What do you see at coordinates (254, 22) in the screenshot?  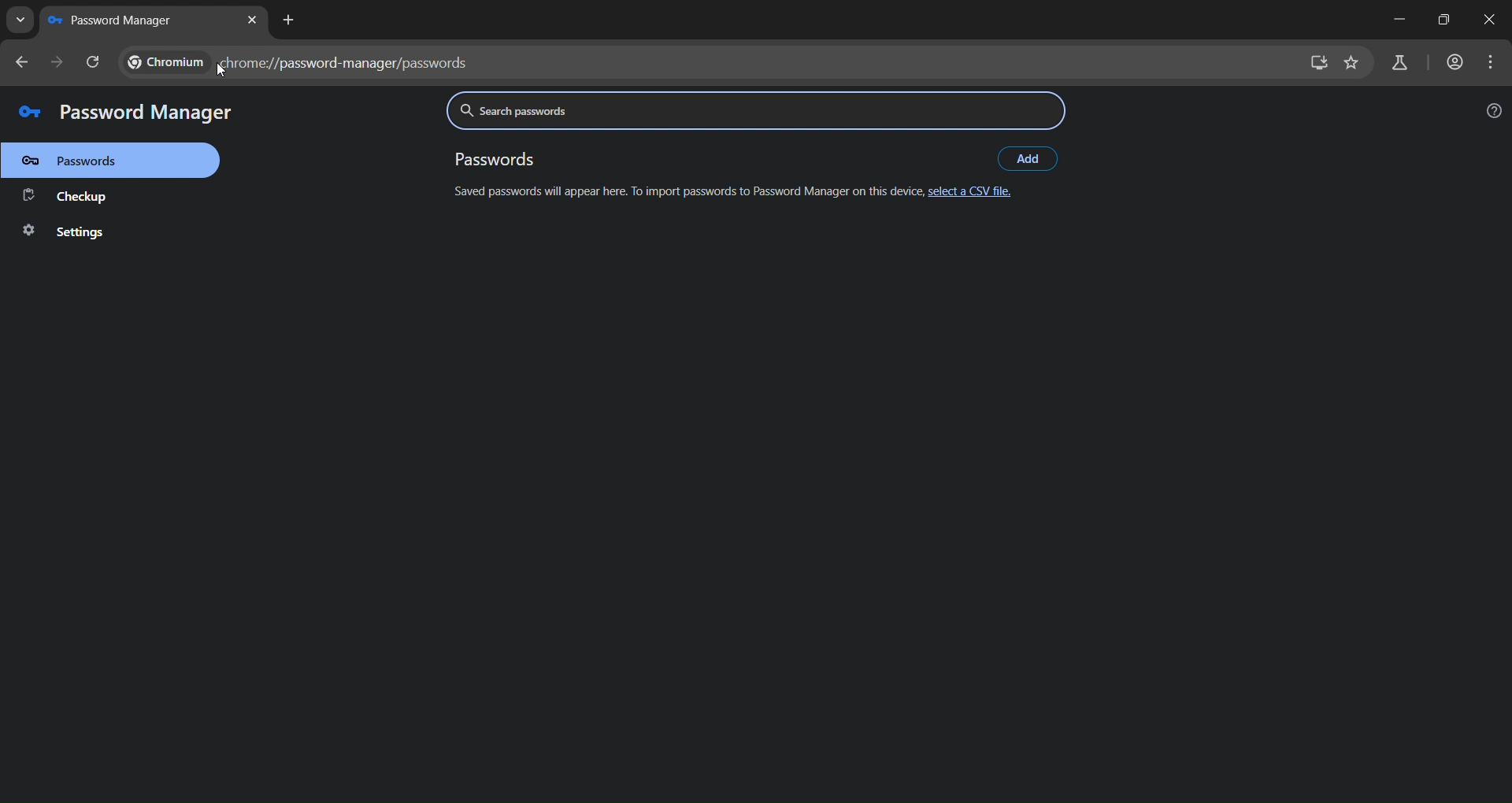 I see `close tab` at bounding box center [254, 22].